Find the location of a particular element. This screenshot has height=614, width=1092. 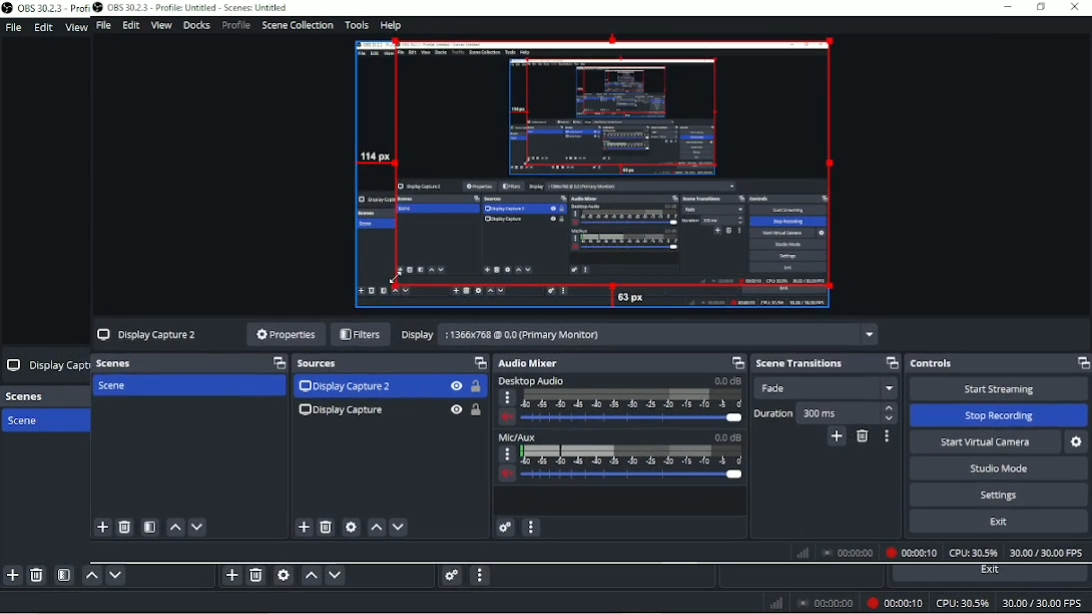

Scene Collection is located at coordinates (299, 25).